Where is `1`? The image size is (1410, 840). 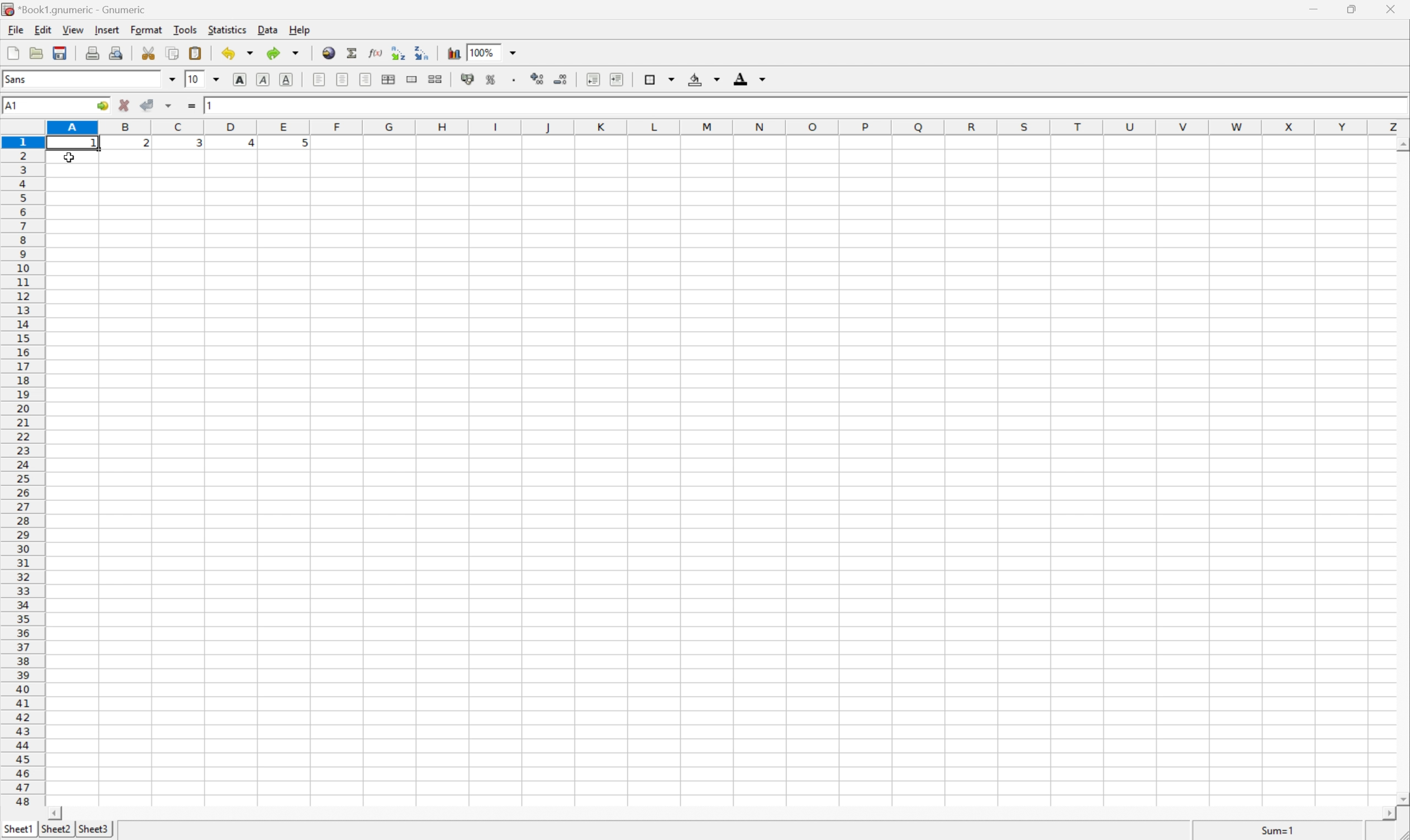
1 is located at coordinates (216, 106).